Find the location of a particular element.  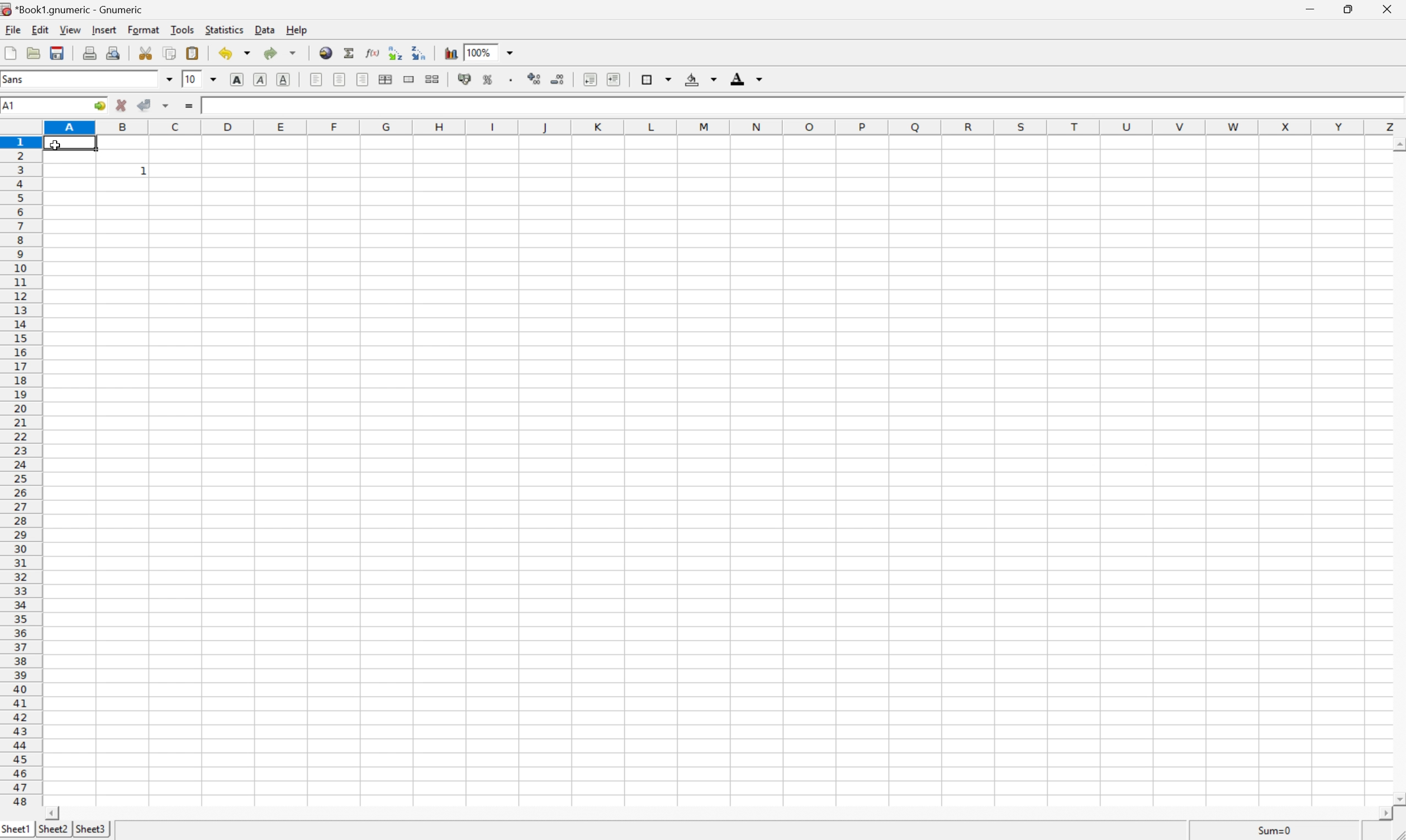

merge a range of cells is located at coordinates (408, 79).